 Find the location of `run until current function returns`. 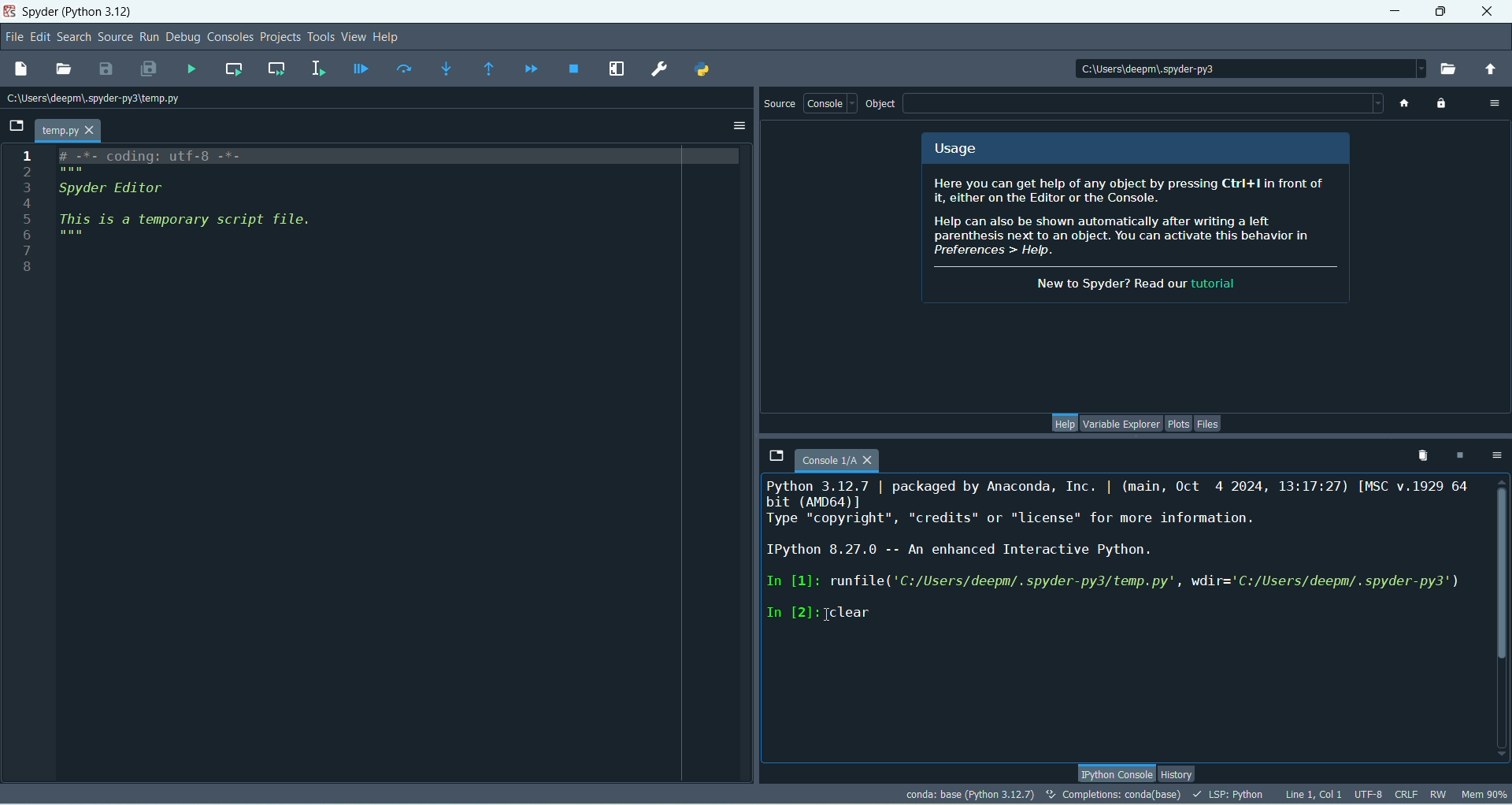

run until current function returns is located at coordinates (489, 69).